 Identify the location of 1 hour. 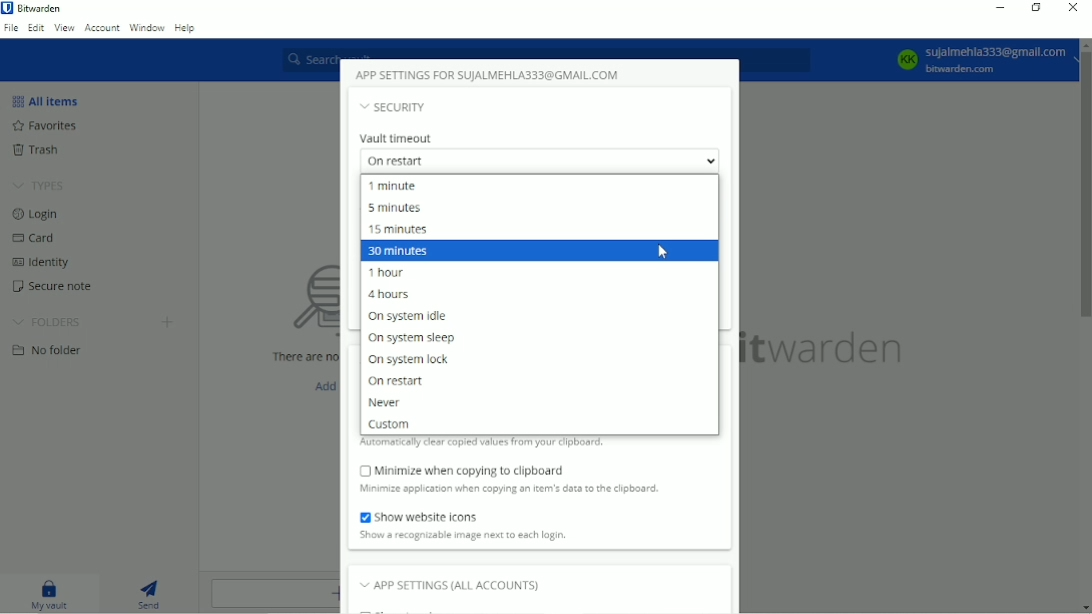
(389, 273).